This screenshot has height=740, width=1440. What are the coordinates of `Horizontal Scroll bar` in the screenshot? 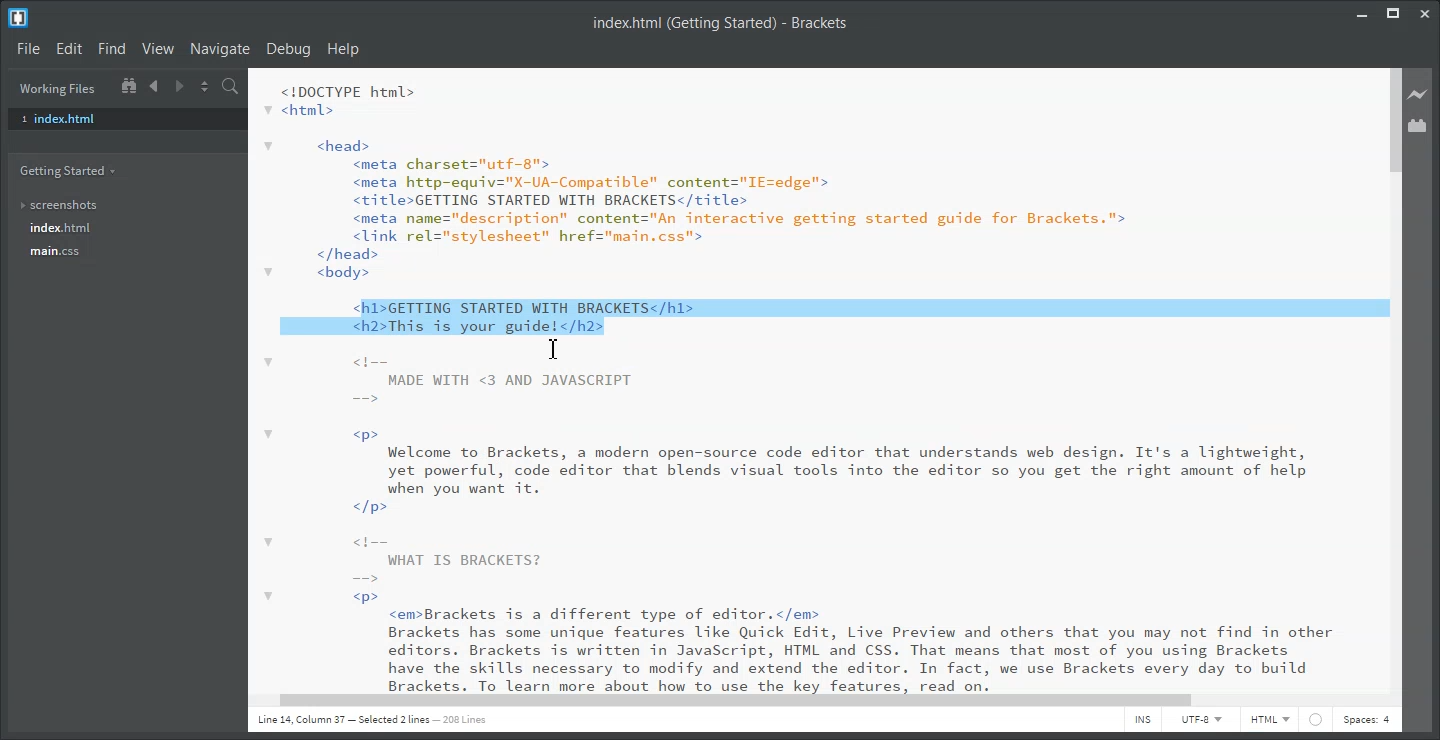 It's located at (813, 701).